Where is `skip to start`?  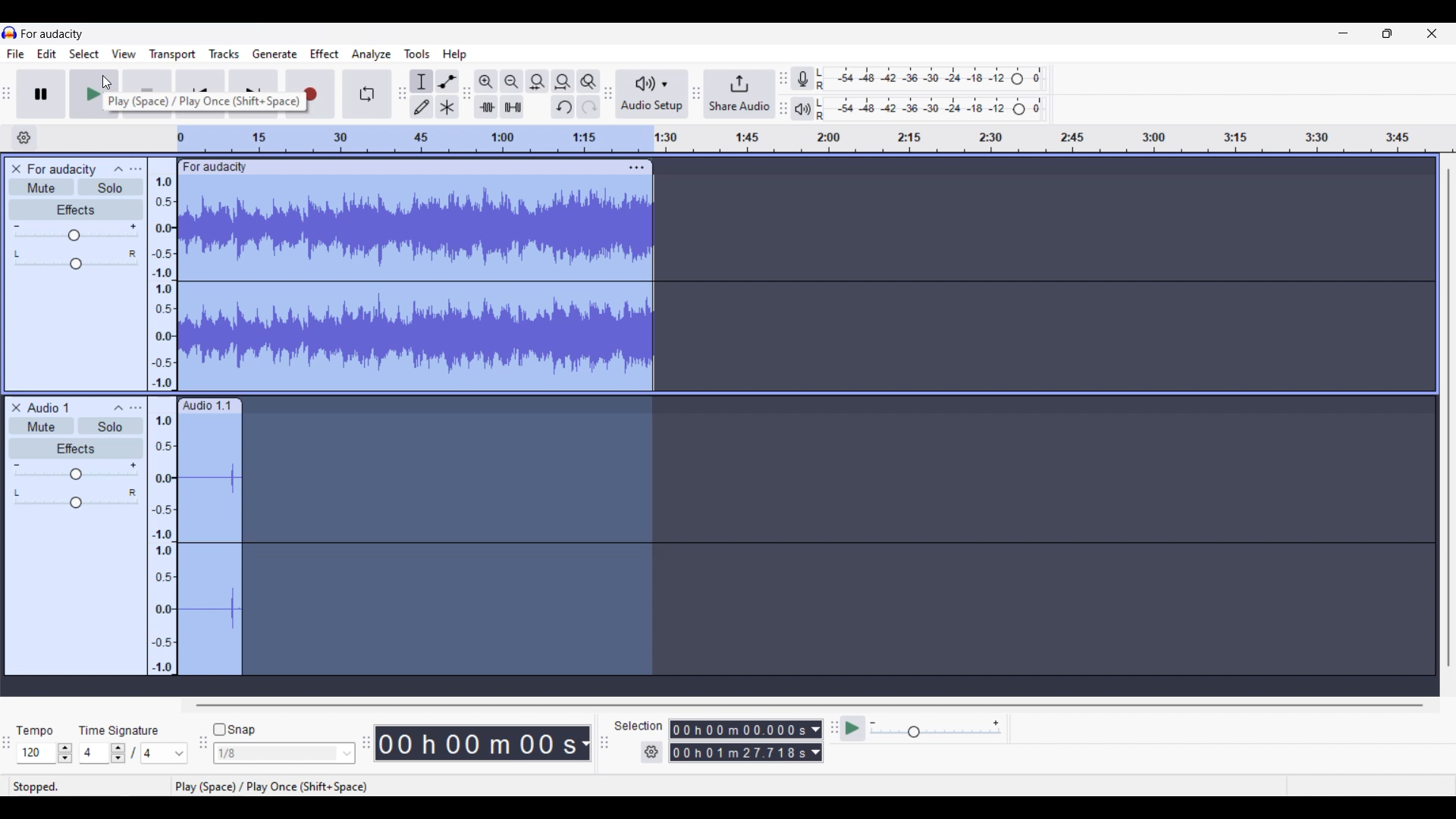 skip to start is located at coordinates (202, 93).